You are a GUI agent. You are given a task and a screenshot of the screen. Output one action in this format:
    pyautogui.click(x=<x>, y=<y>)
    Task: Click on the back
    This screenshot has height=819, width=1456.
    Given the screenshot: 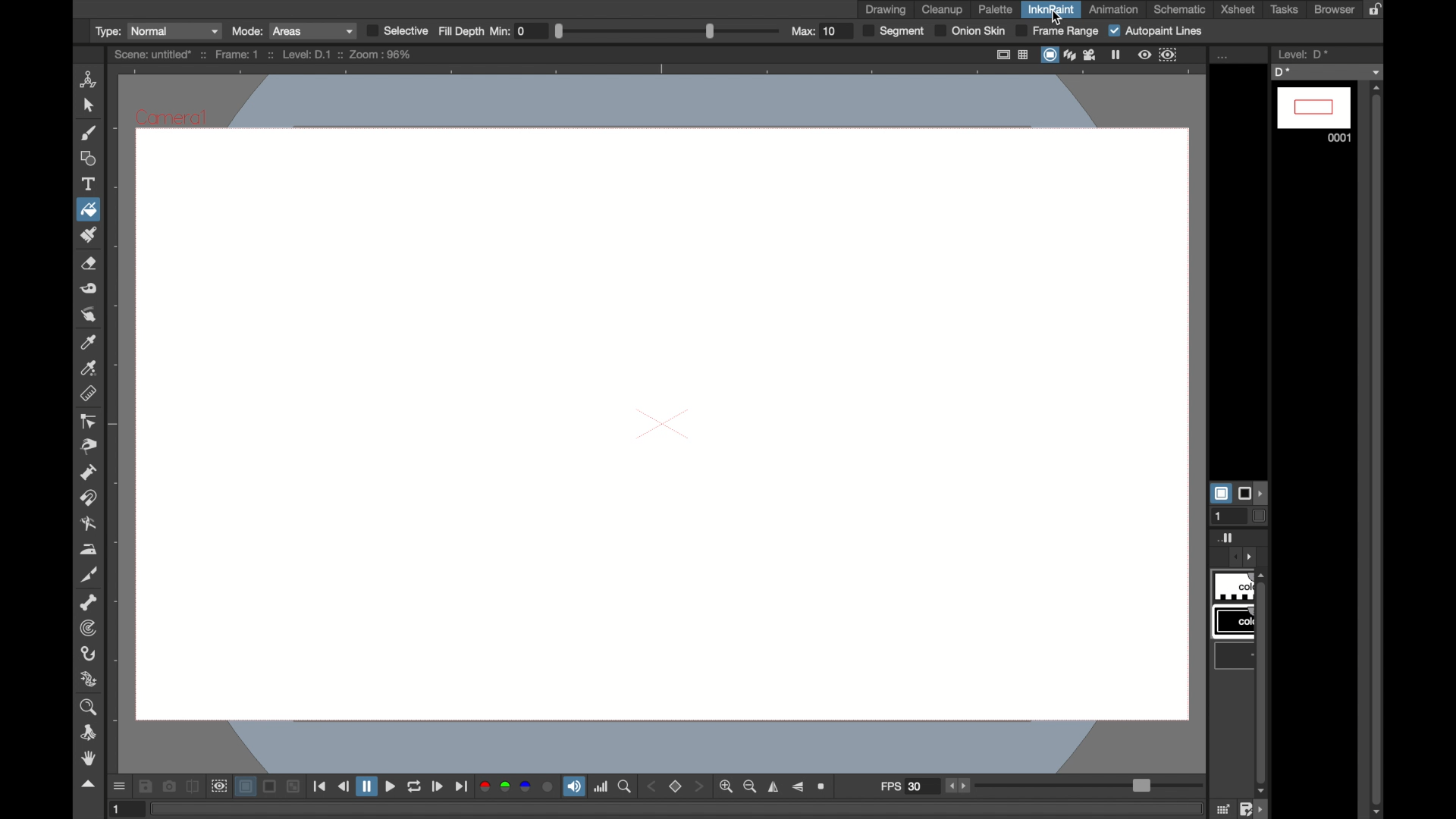 What is the action you would take?
    pyautogui.click(x=650, y=787)
    